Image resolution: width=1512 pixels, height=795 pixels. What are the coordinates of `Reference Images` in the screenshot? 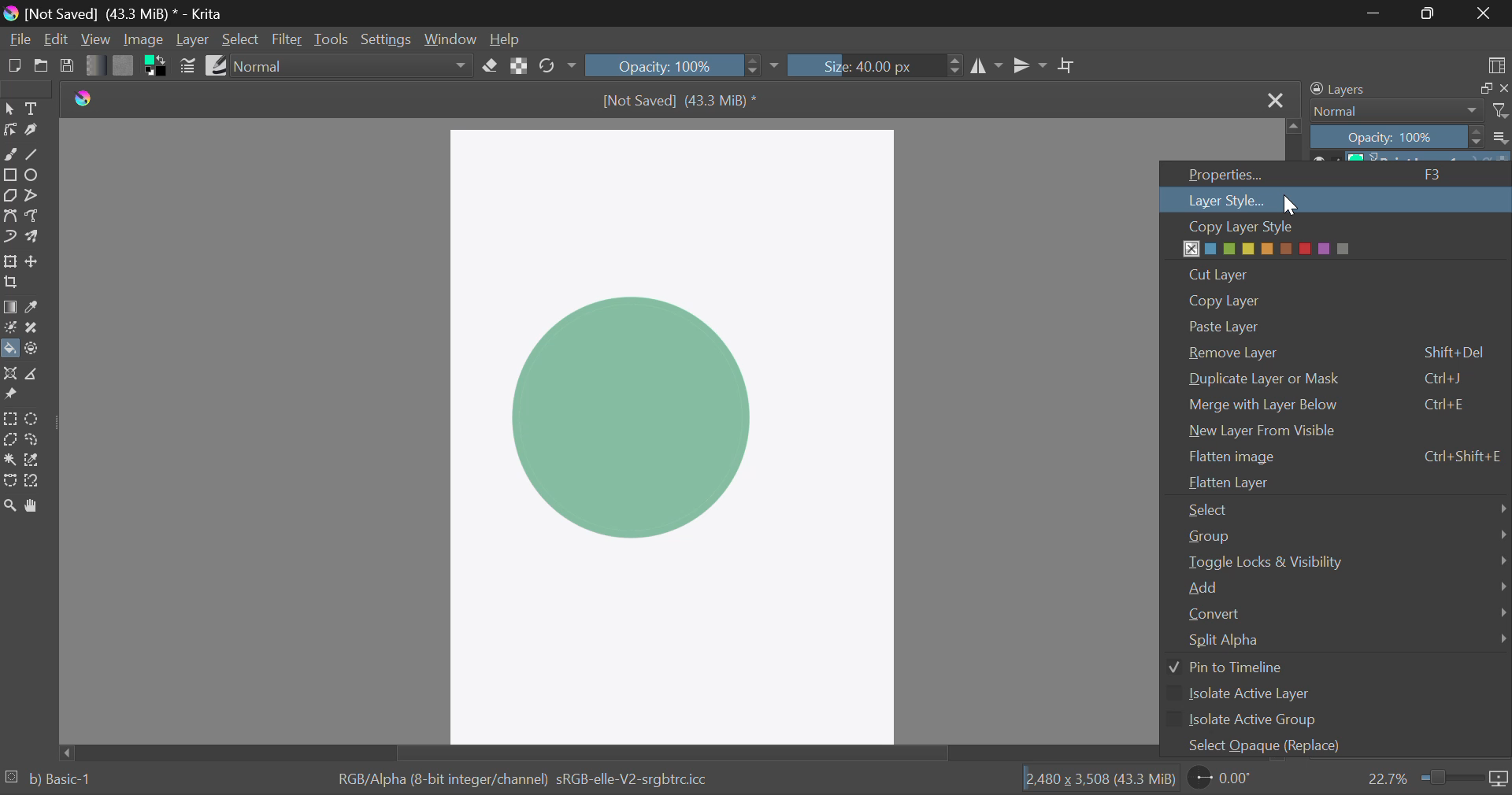 It's located at (9, 394).